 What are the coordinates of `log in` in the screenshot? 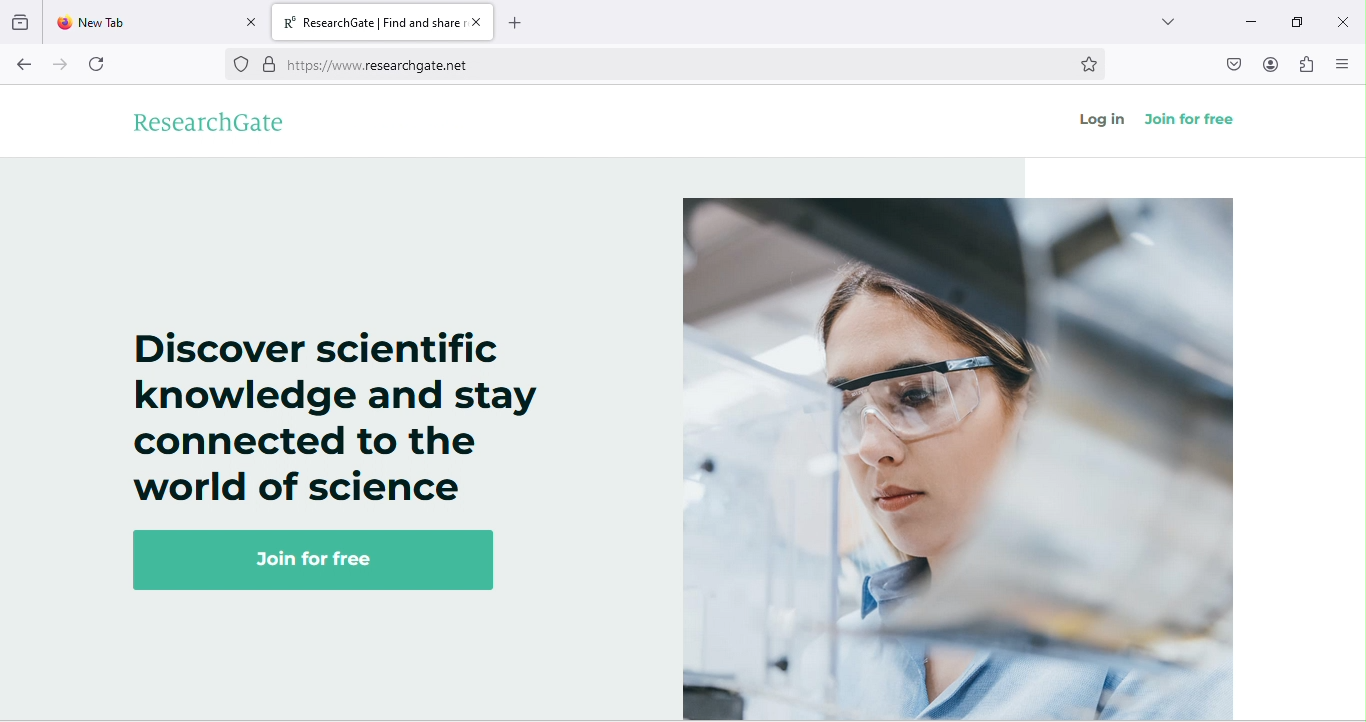 It's located at (1098, 120).